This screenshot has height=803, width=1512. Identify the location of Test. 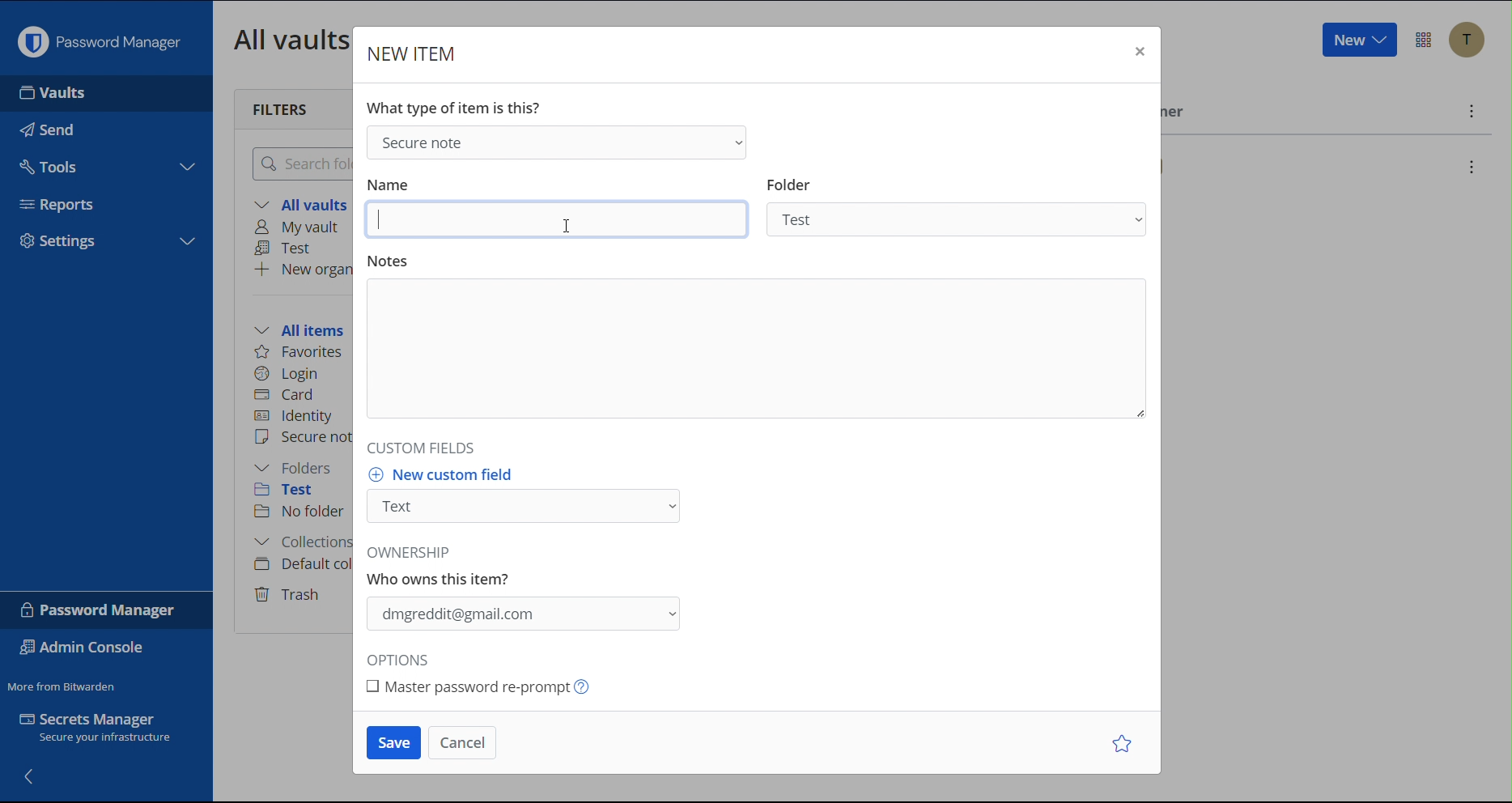
(295, 492).